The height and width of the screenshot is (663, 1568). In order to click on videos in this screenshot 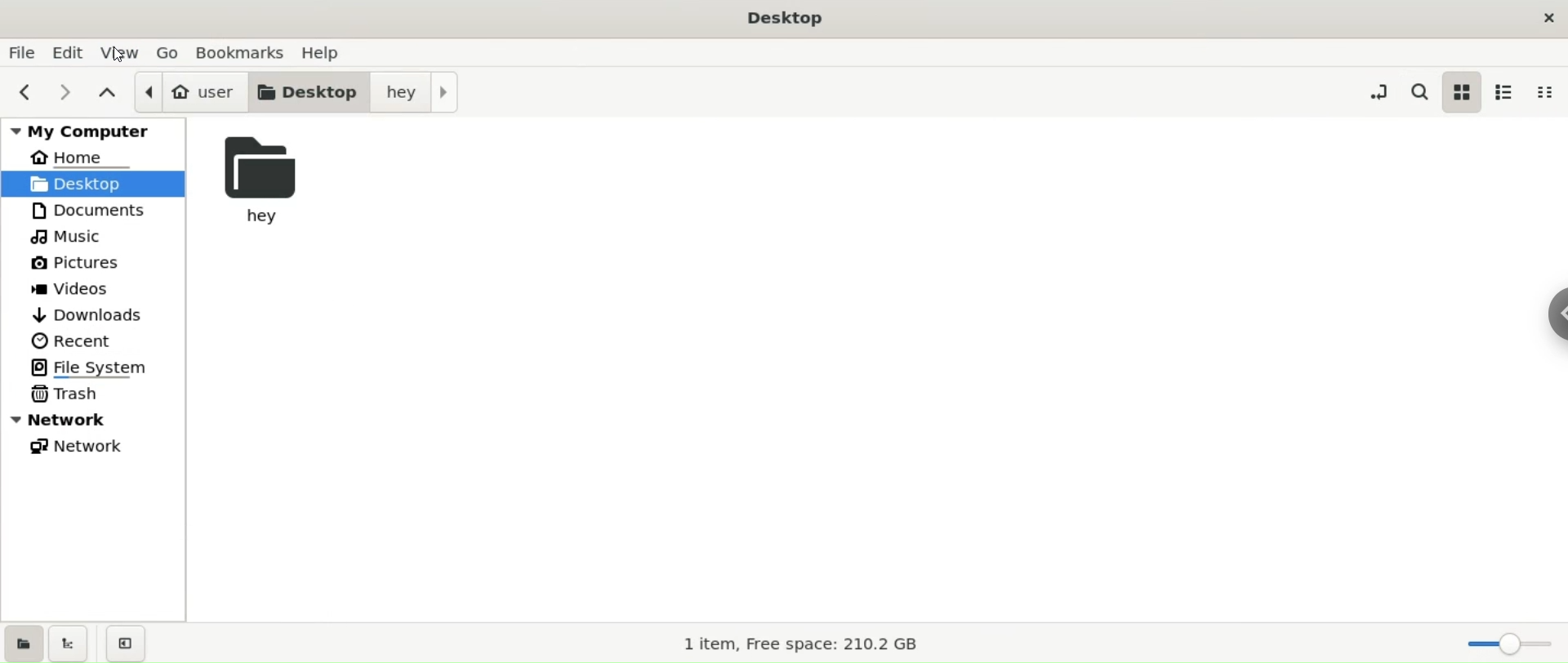, I will do `click(104, 289)`.